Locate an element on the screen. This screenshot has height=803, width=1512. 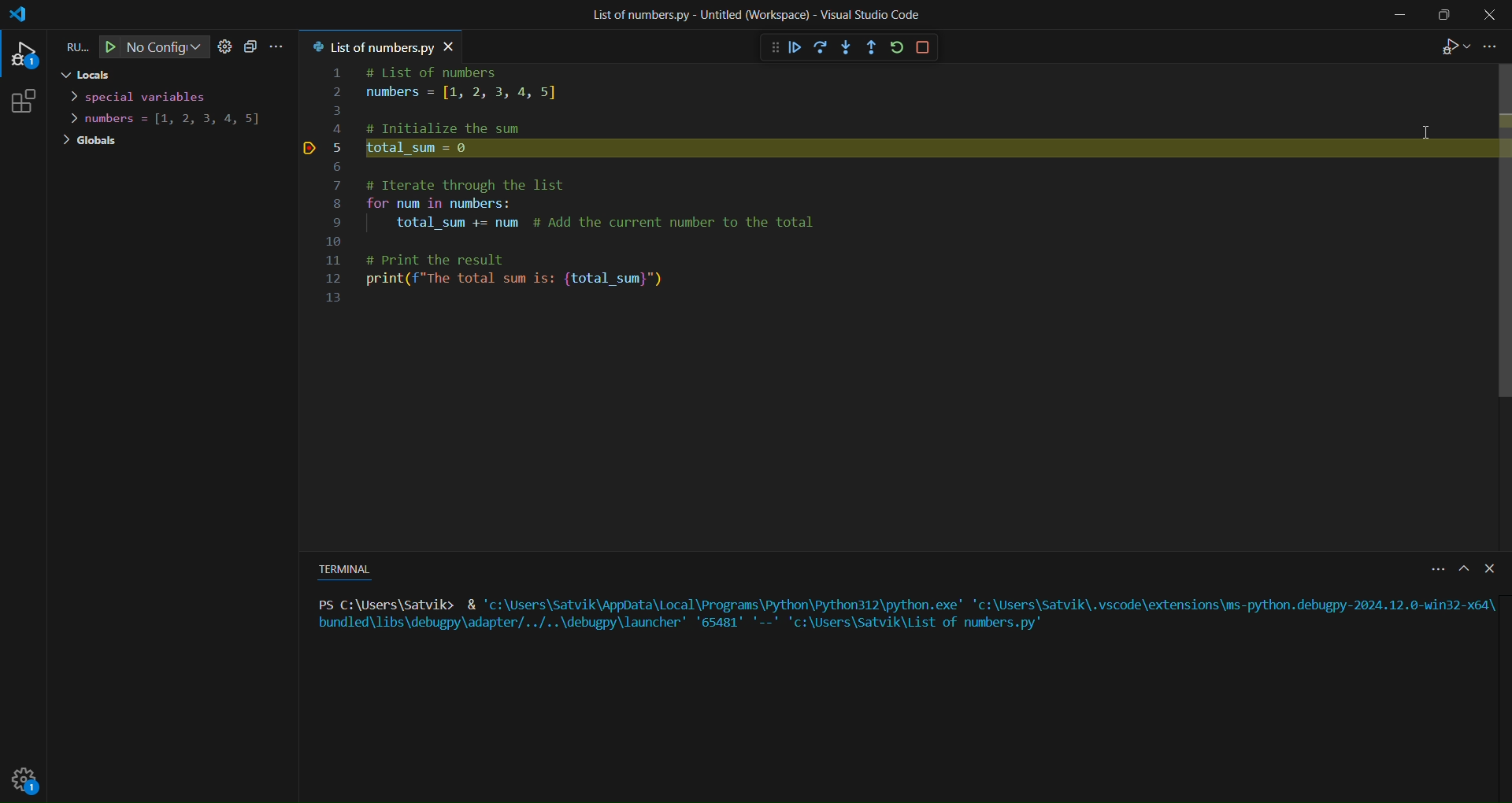
terminal is located at coordinates (347, 568).